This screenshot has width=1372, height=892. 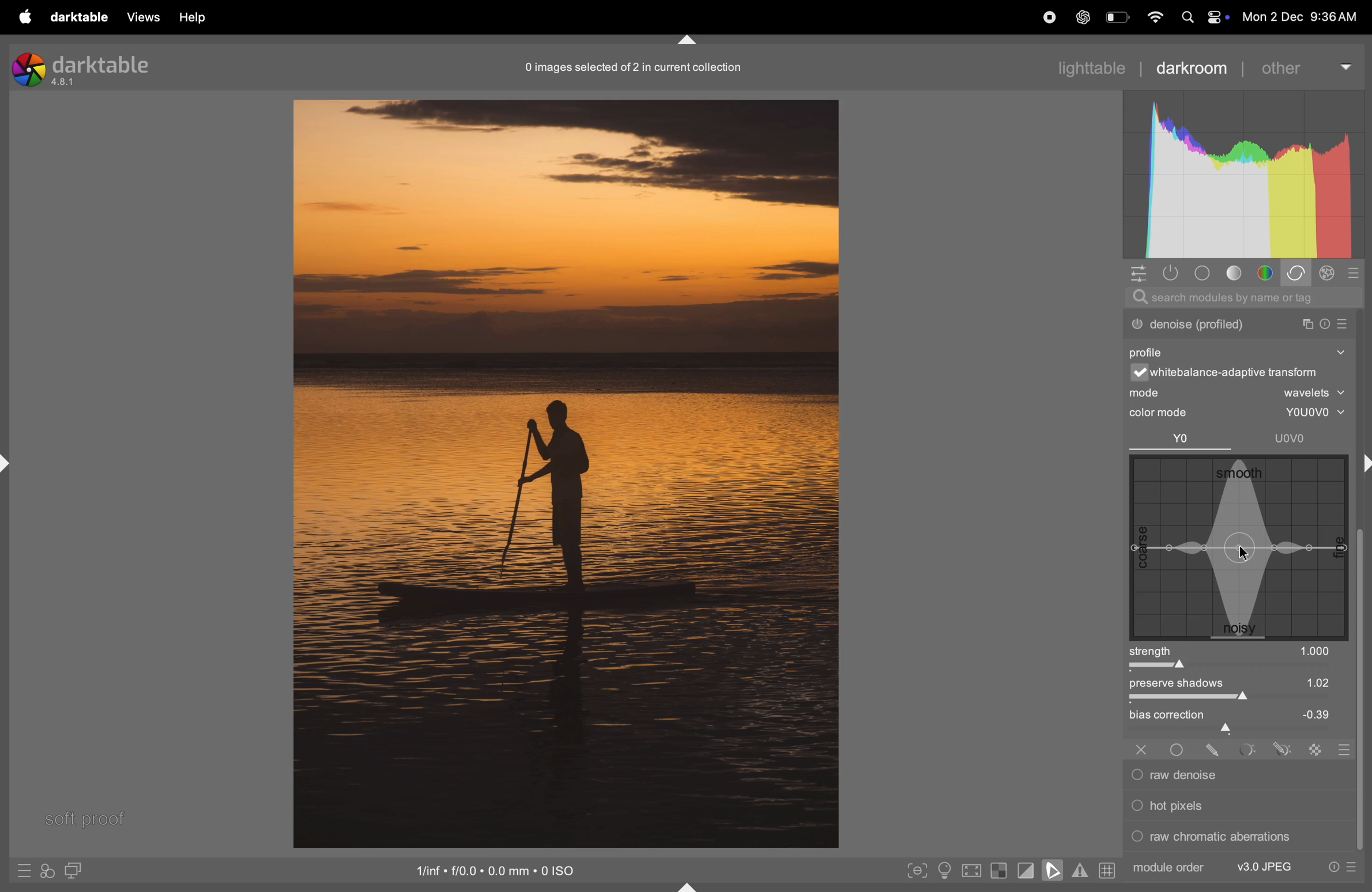 I want to click on bias correction, so click(x=1241, y=716).